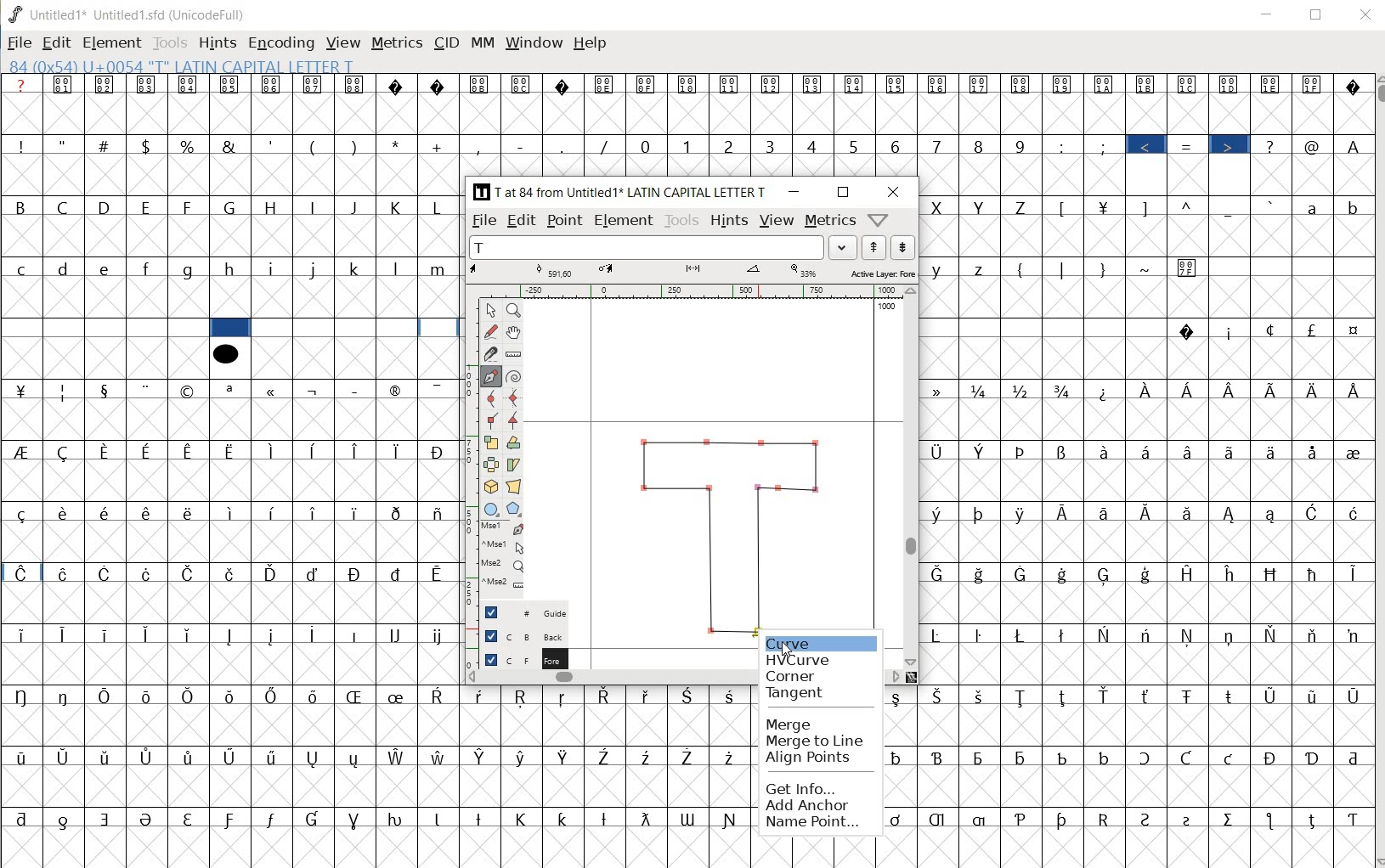 The height and width of the screenshot is (868, 1385). Describe the element at coordinates (516, 309) in the screenshot. I see `zoom` at that location.